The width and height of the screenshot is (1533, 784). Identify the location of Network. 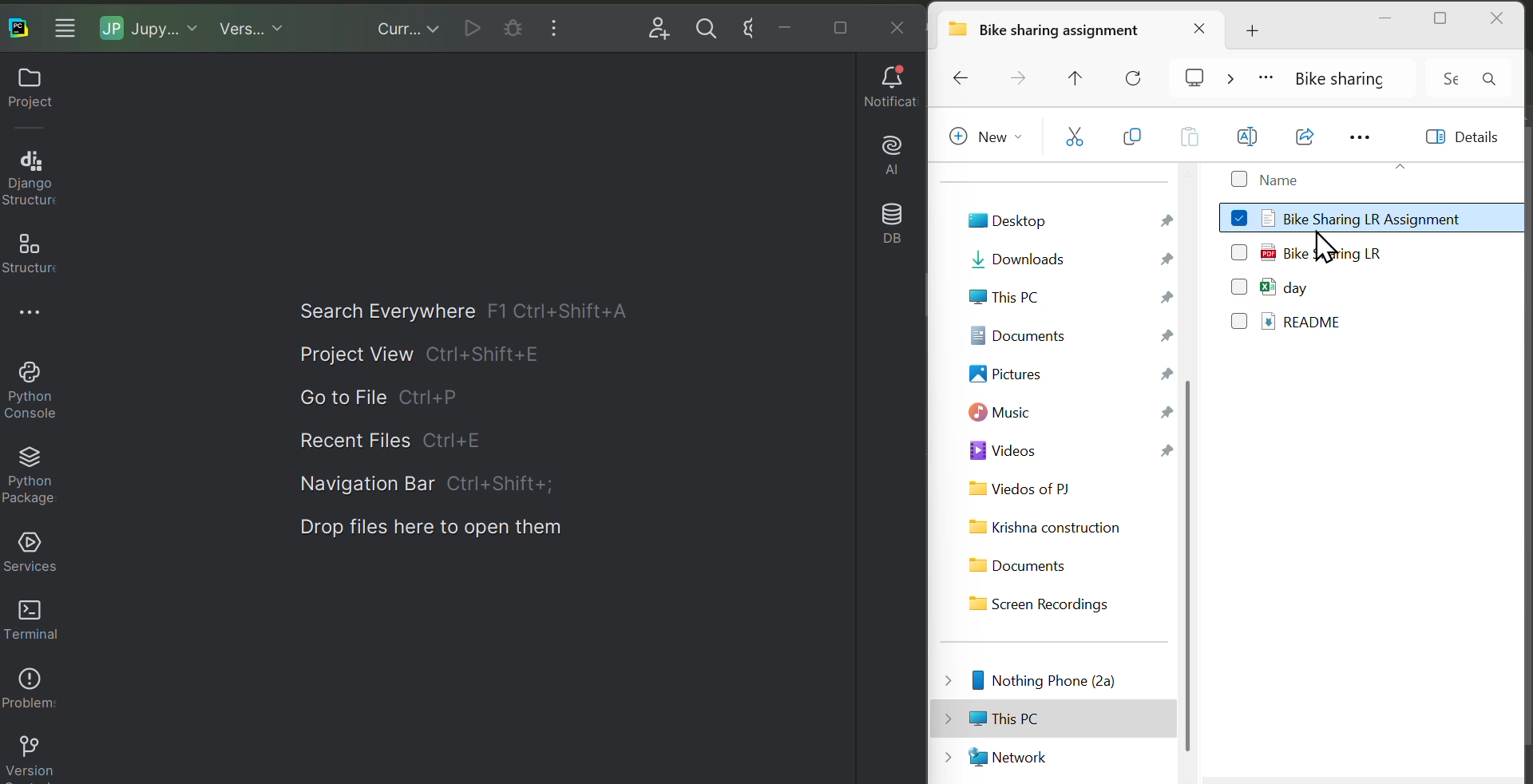
(1052, 754).